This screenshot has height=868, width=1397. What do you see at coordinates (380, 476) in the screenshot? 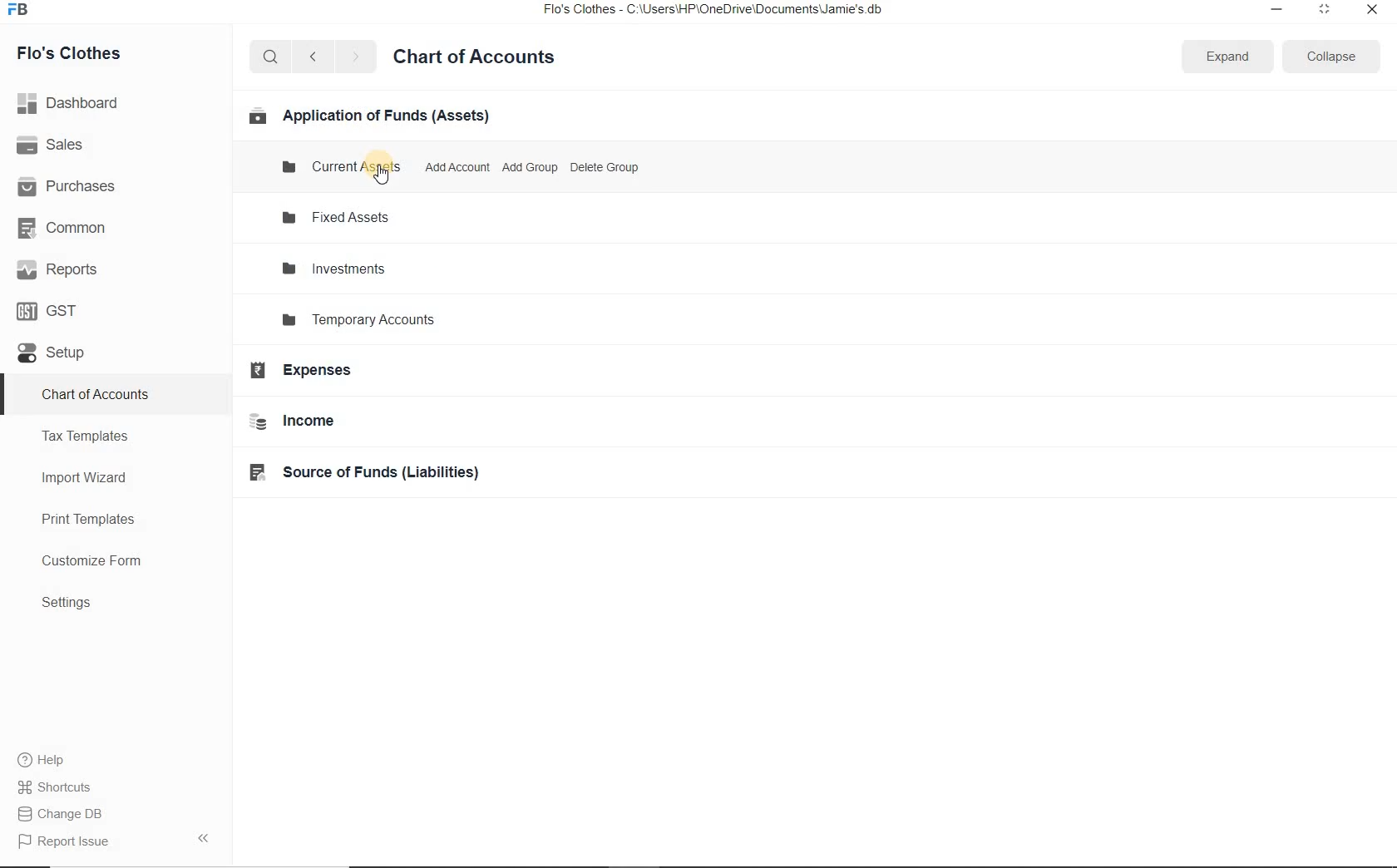
I see `Source of Funds (Liabilities)` at bounding box center [380, 476].